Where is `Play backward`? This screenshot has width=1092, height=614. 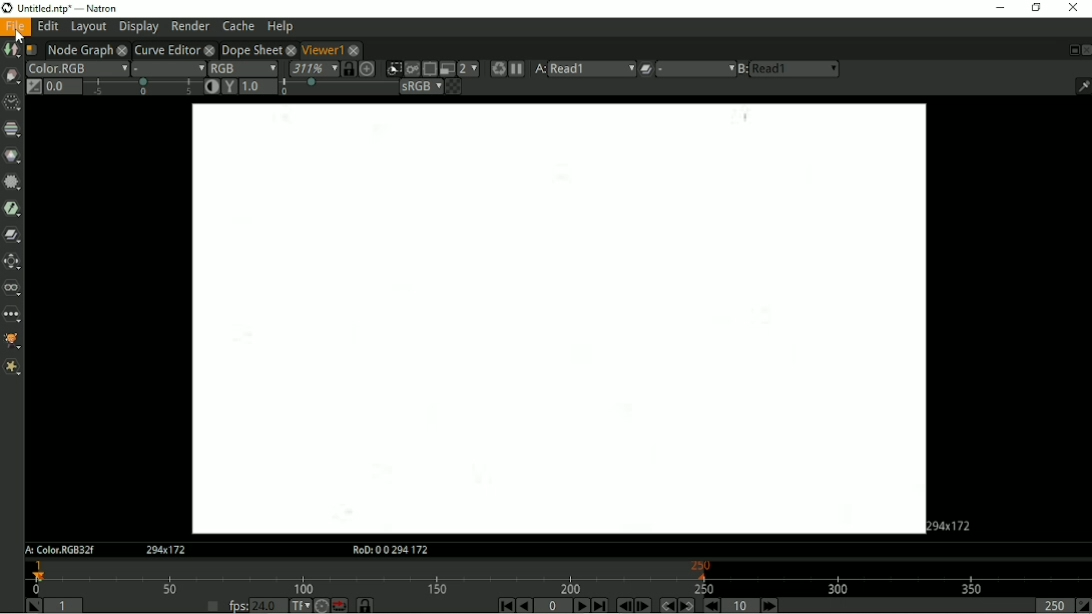
Play backward is located at coordinates (524, 605).